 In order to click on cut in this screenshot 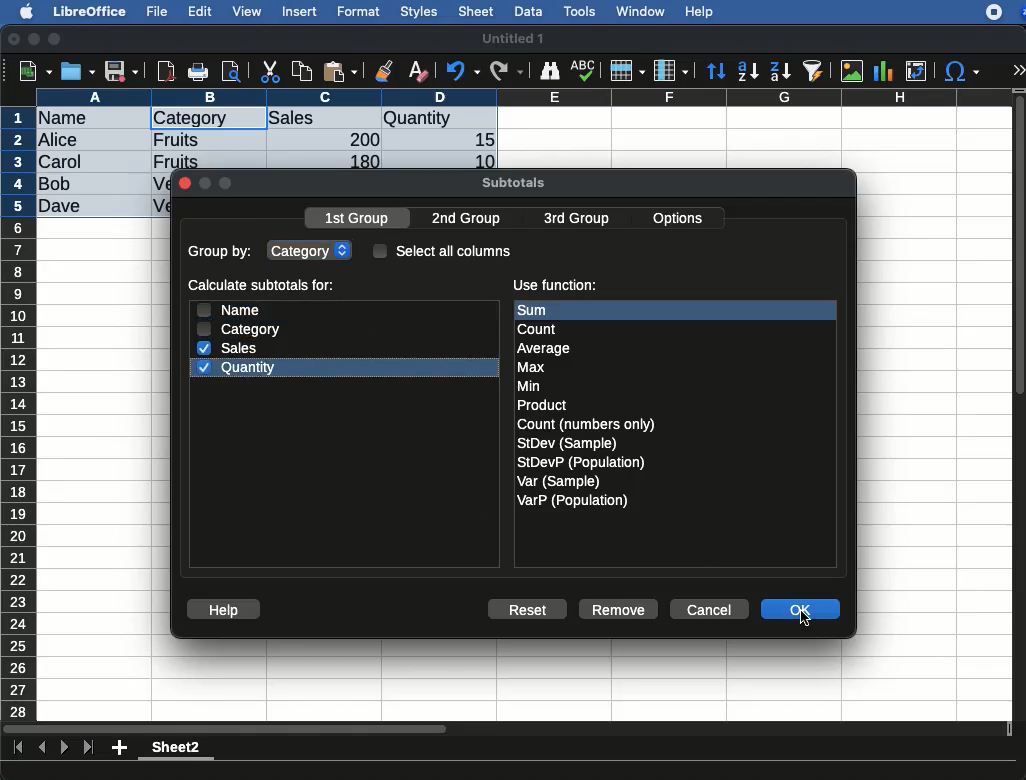, I will do `click(271, 71)`.